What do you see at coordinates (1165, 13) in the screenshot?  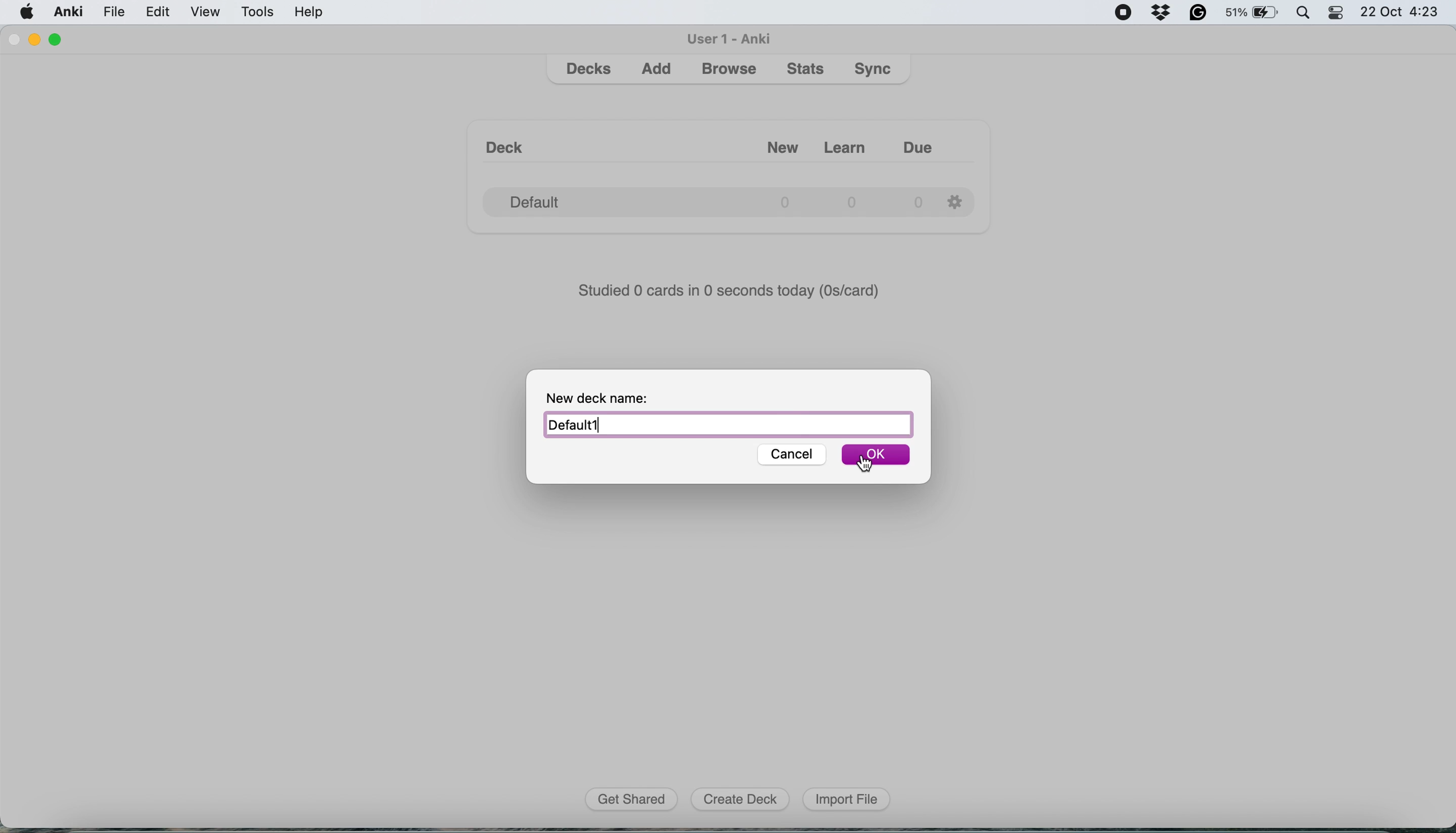 I see `drop box` at bounding box center [1165, 13].